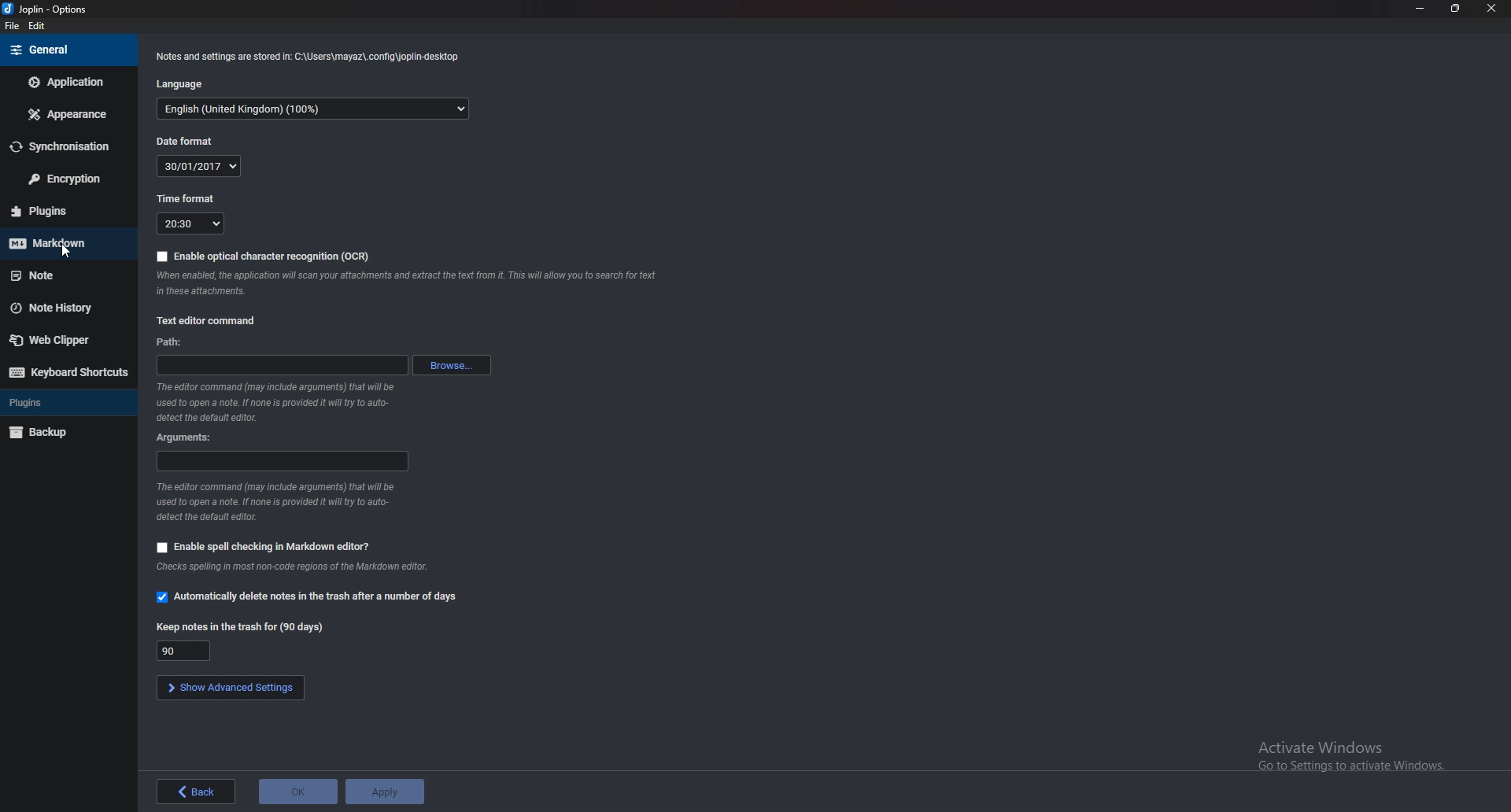 This screenshot has width=1511, height=812. What do you see at coordinates (67, 147) in the screenshot?
I see `Synchronization` at bounding box center [67, 147].